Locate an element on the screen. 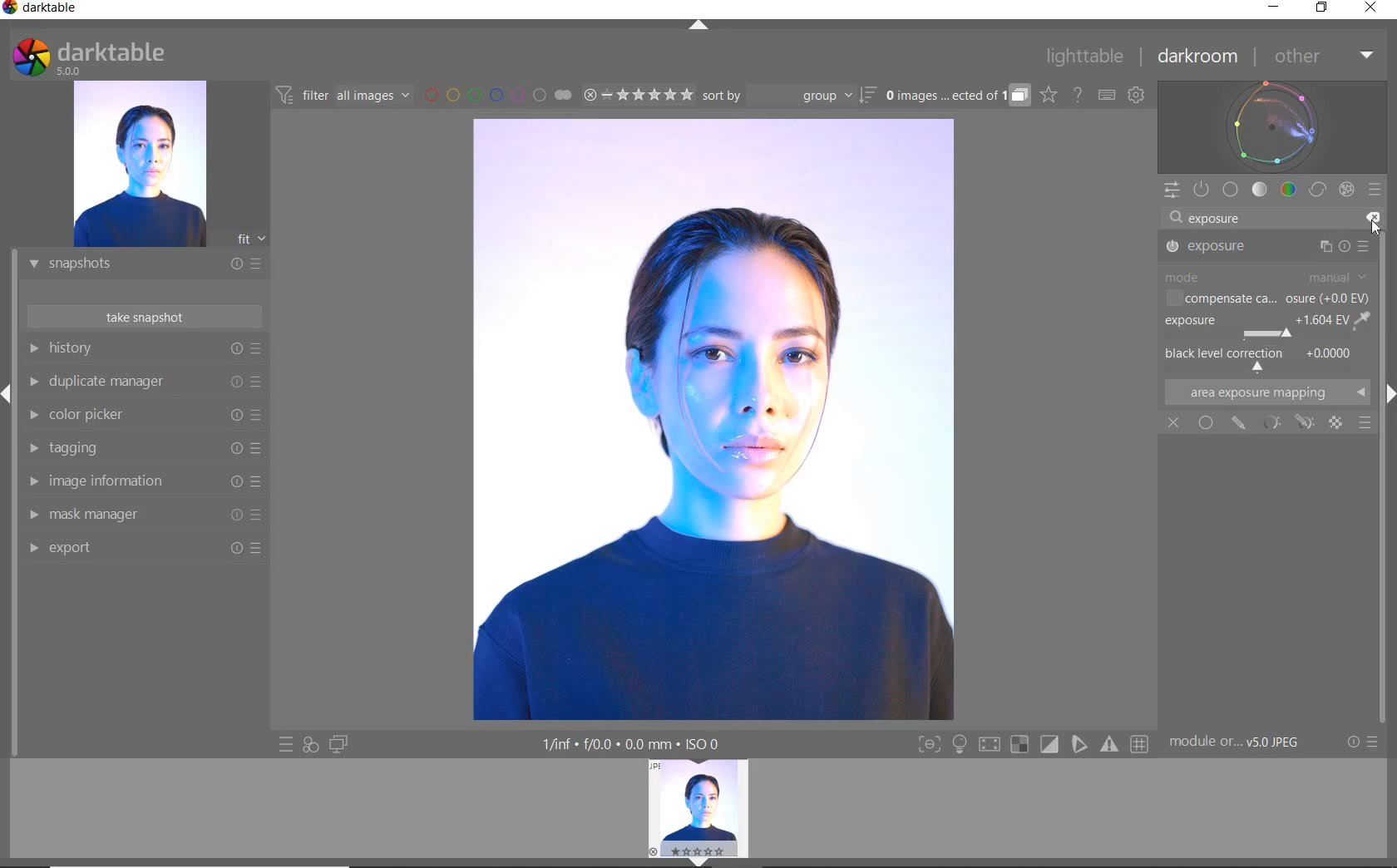 The height and width of the screenshot is (868, 1397). Button is located at coordinates (1080, 744).